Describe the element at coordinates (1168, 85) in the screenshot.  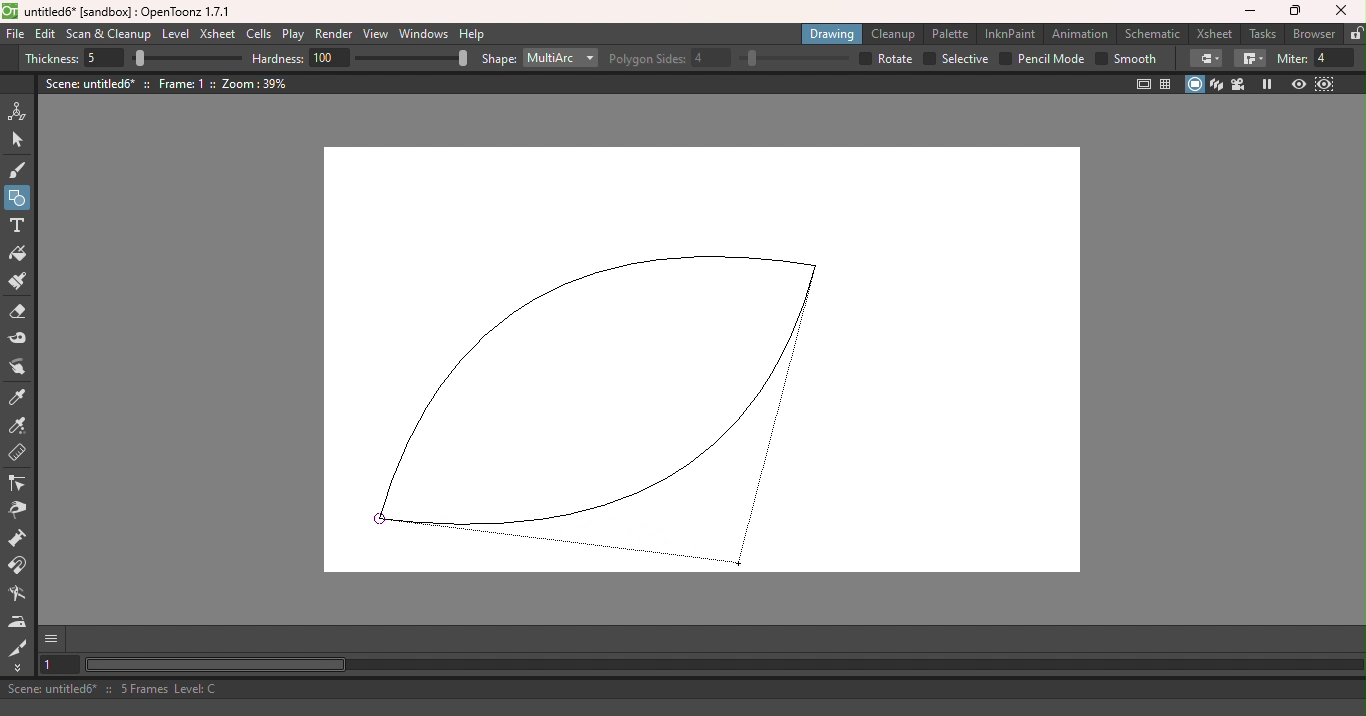
I see `Field guide` at that location.